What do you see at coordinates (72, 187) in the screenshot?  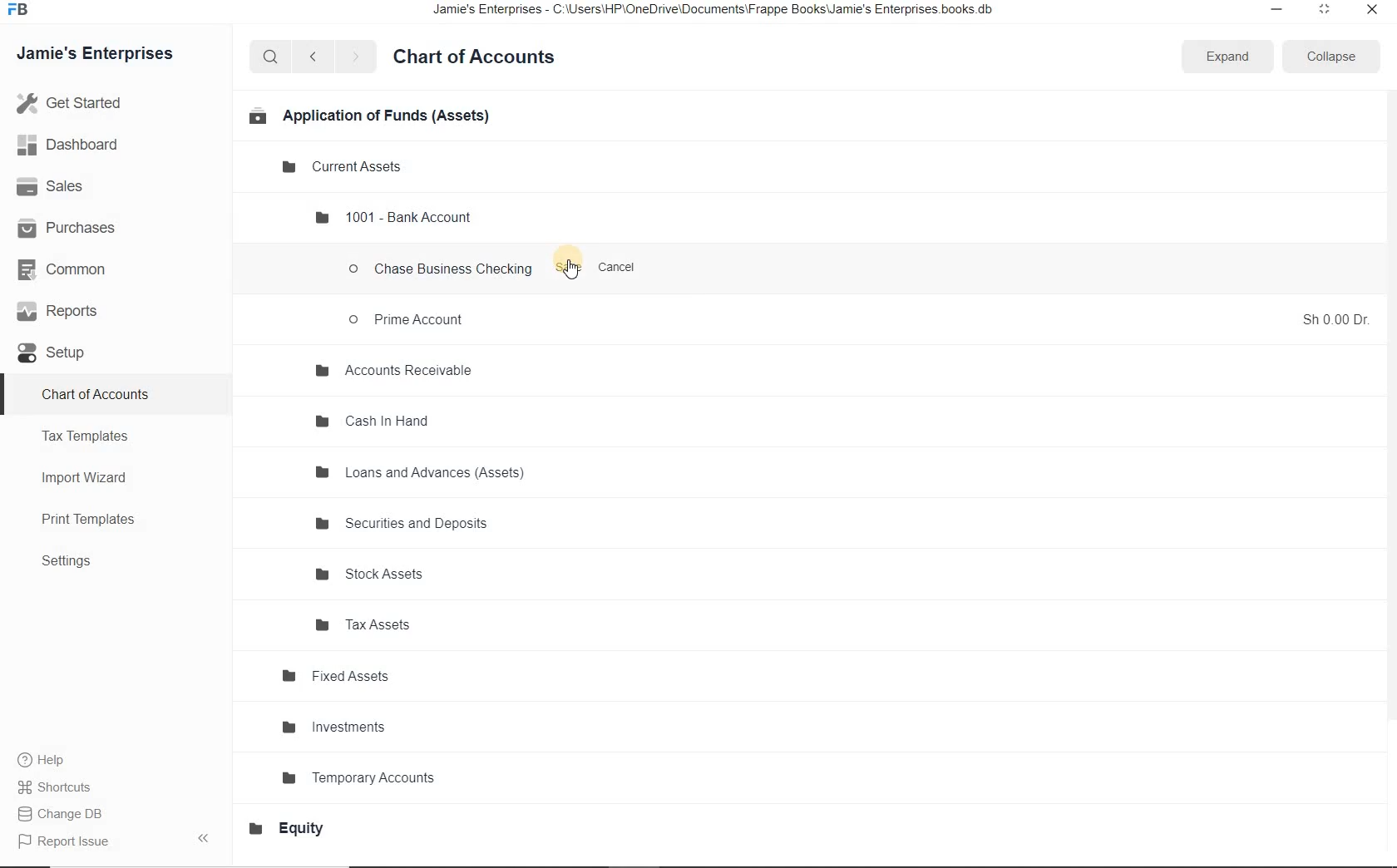 I see `Sales` at bounding box center [72, 187].